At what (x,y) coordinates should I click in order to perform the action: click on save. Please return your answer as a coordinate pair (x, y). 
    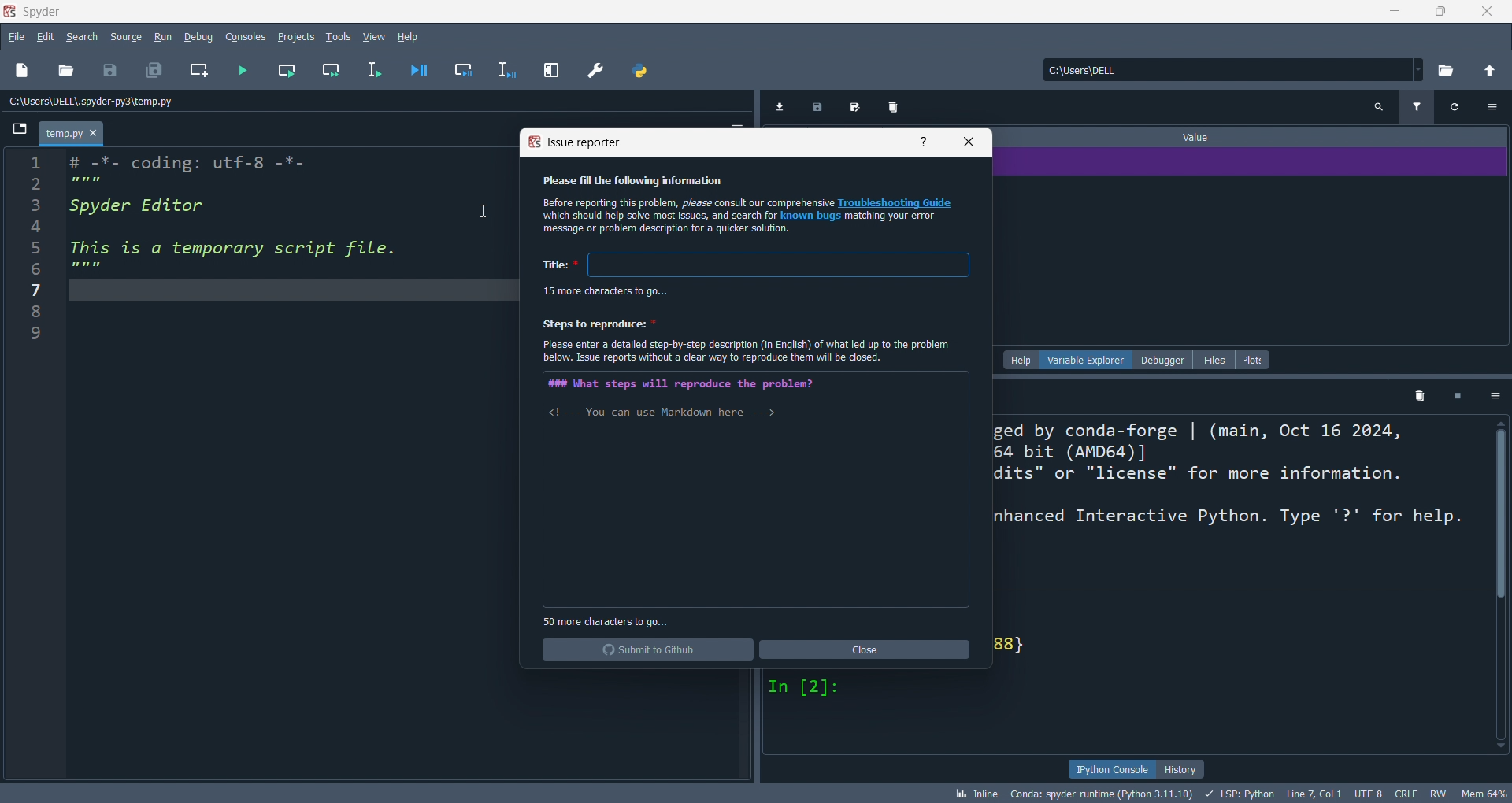
    Looking at the image, I should click on (111, 72).